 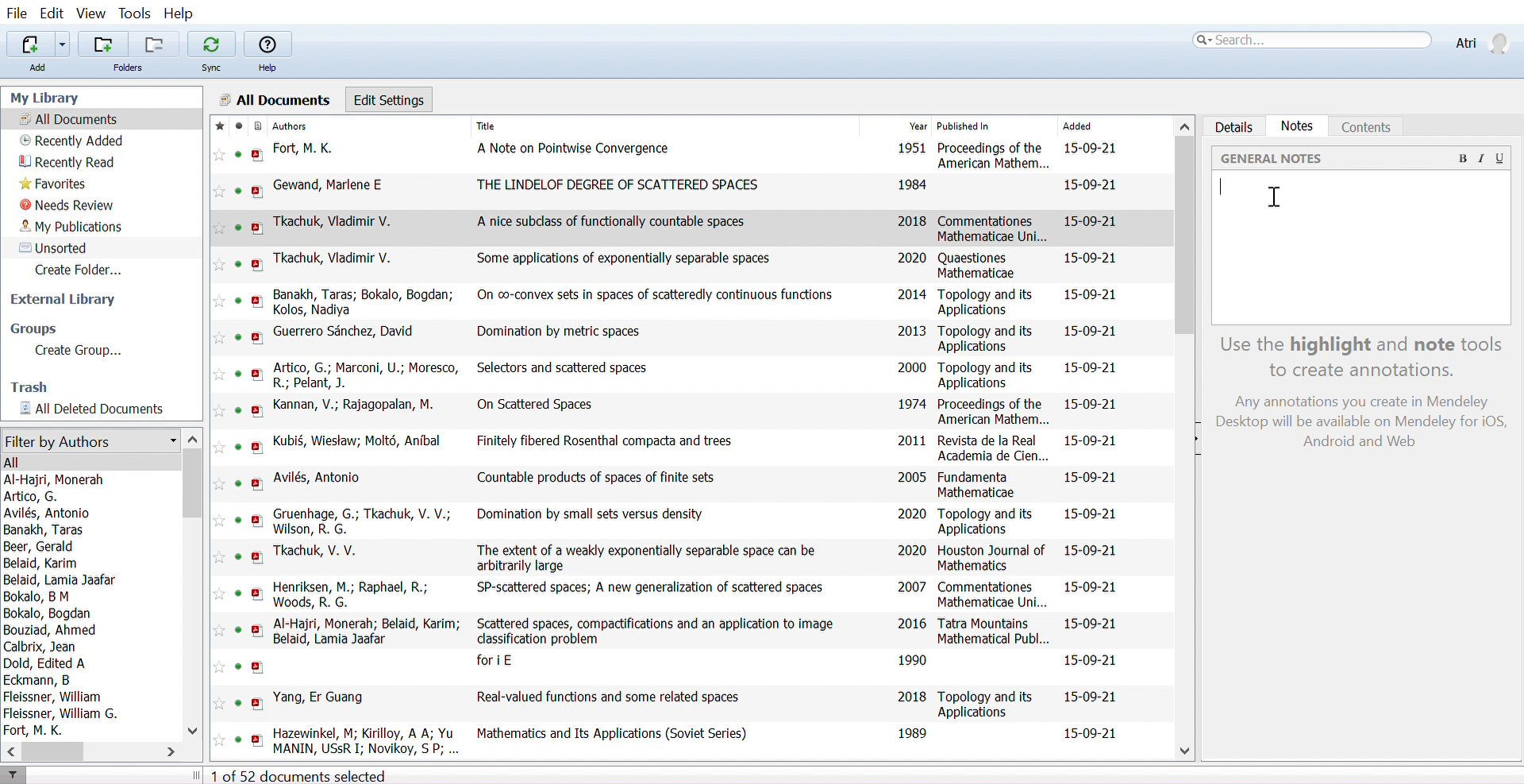 What do you see at coordinates (597, 478) in the screenshot?
I see `Countable products of spaces of finite sets` at bounding box center [597, 478].